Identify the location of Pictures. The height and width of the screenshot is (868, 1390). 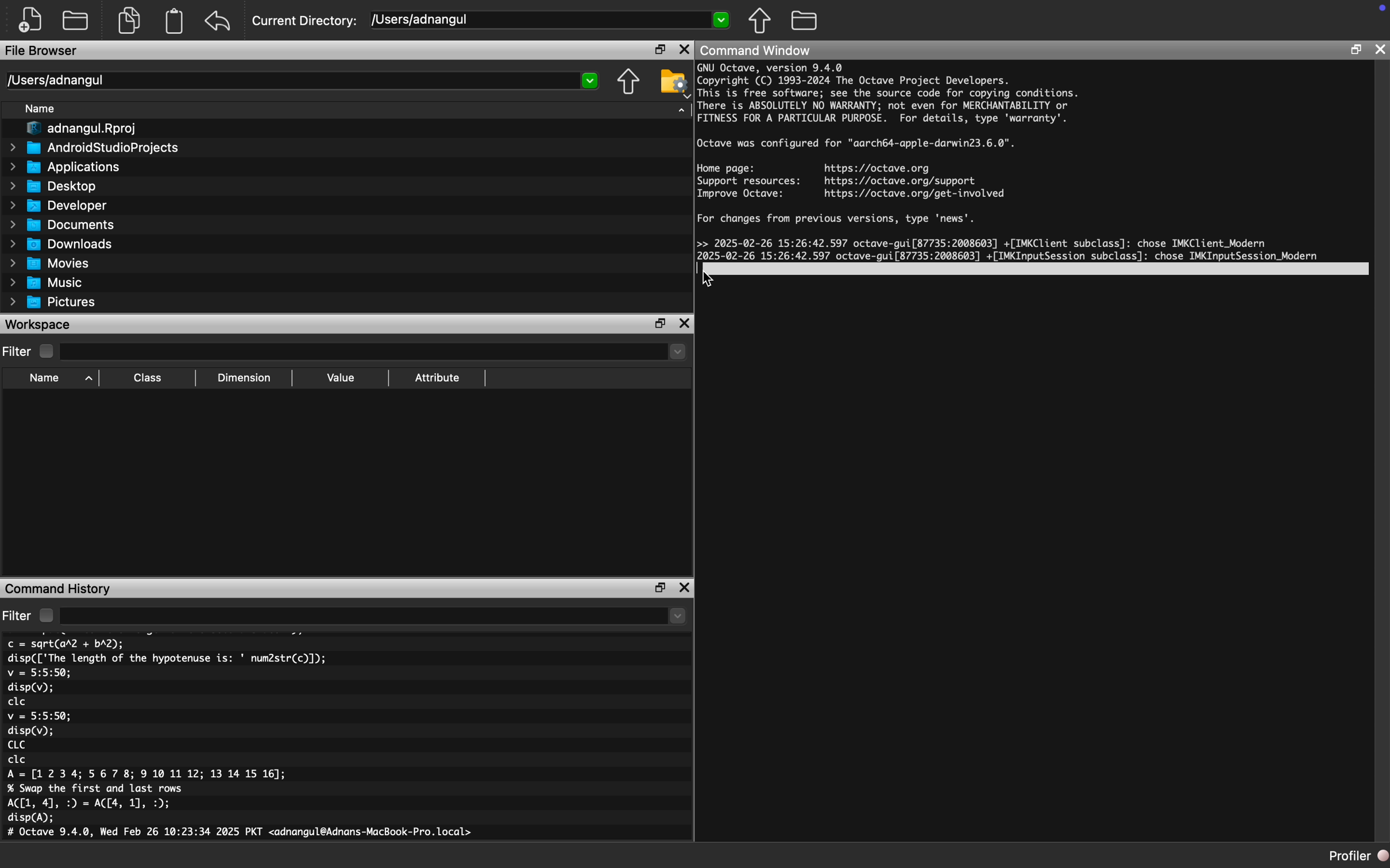
(52, 302).